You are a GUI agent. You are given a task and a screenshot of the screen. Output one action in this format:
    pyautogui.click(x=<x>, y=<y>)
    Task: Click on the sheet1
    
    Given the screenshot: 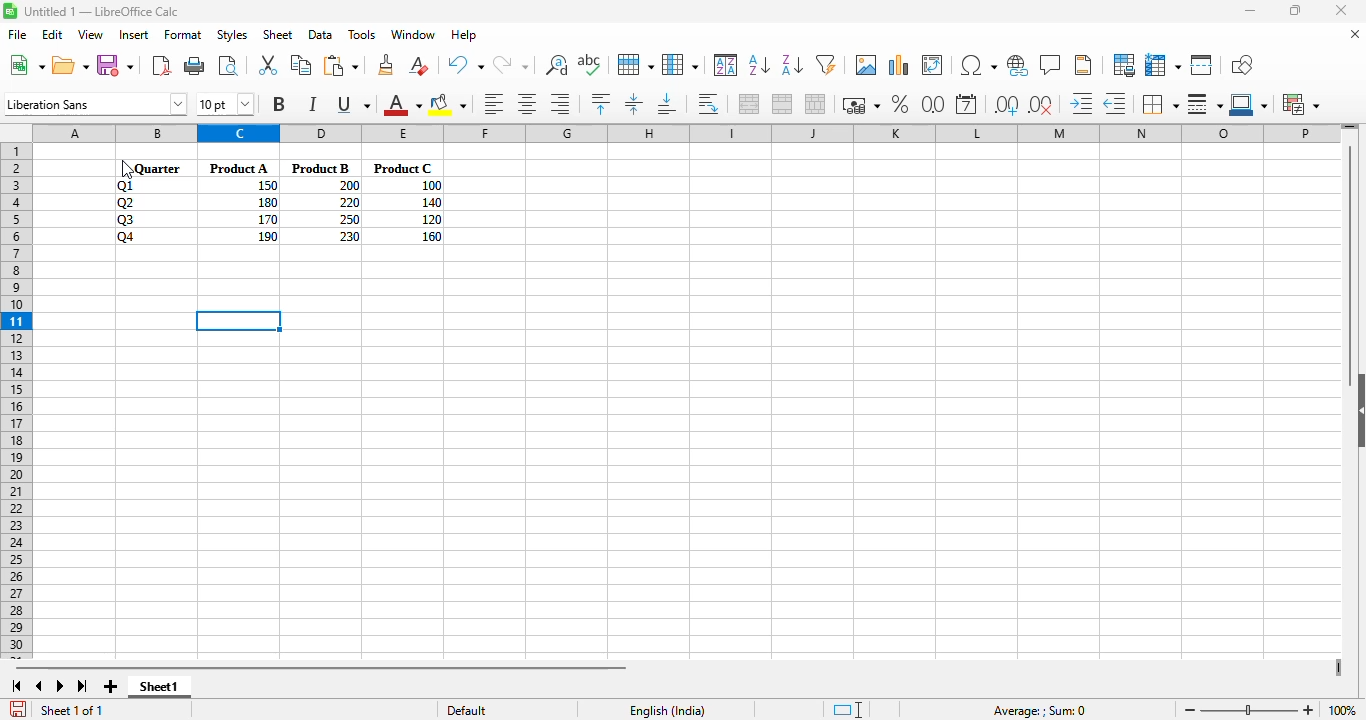 What is the action you would take?
    pyautogui.click(x=159, y=688)
    